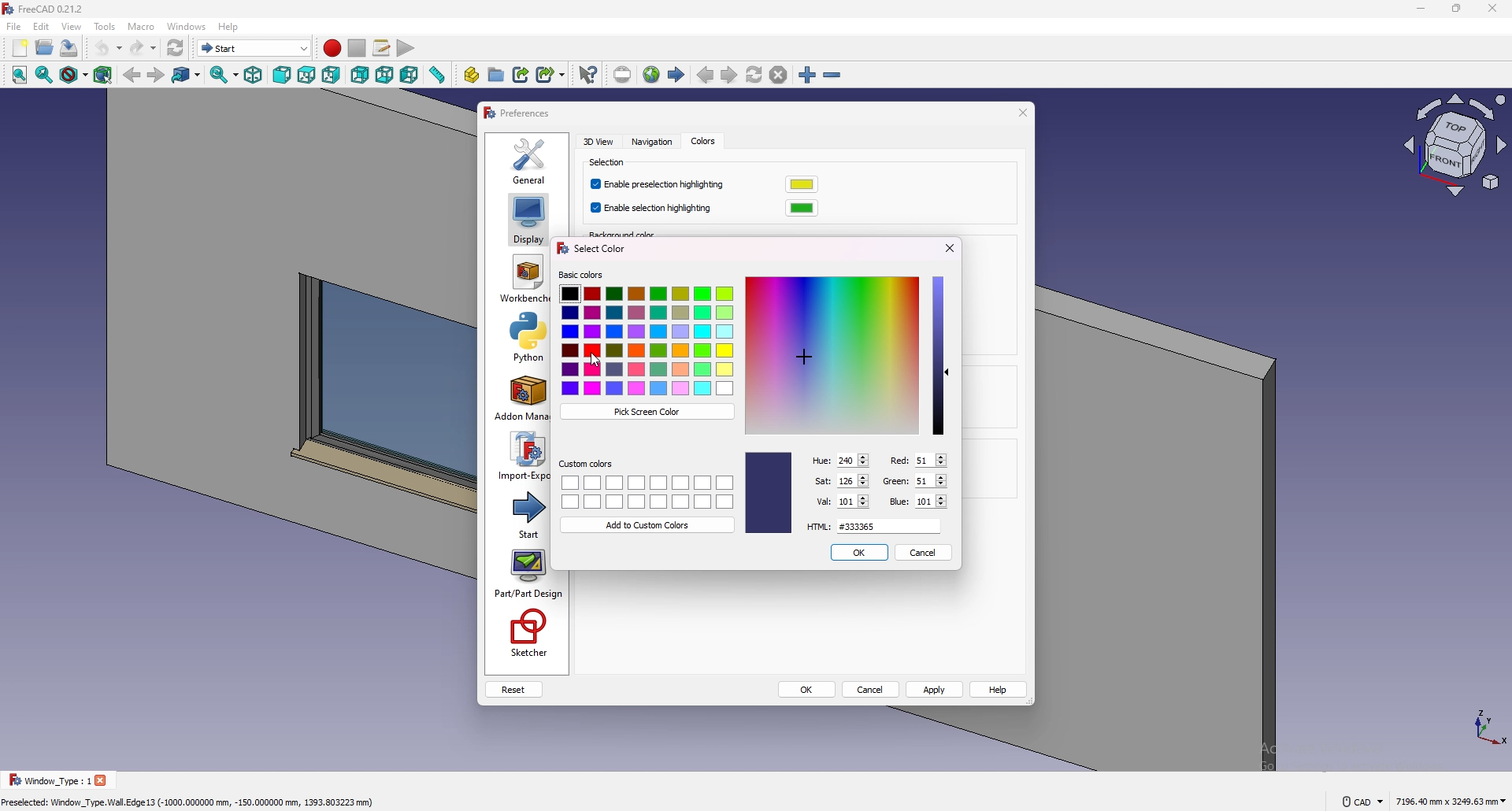 The image size is (1512, 811). Describe the element at coordinates (822, 461) in the screenshot. I see `HUE` at that location.